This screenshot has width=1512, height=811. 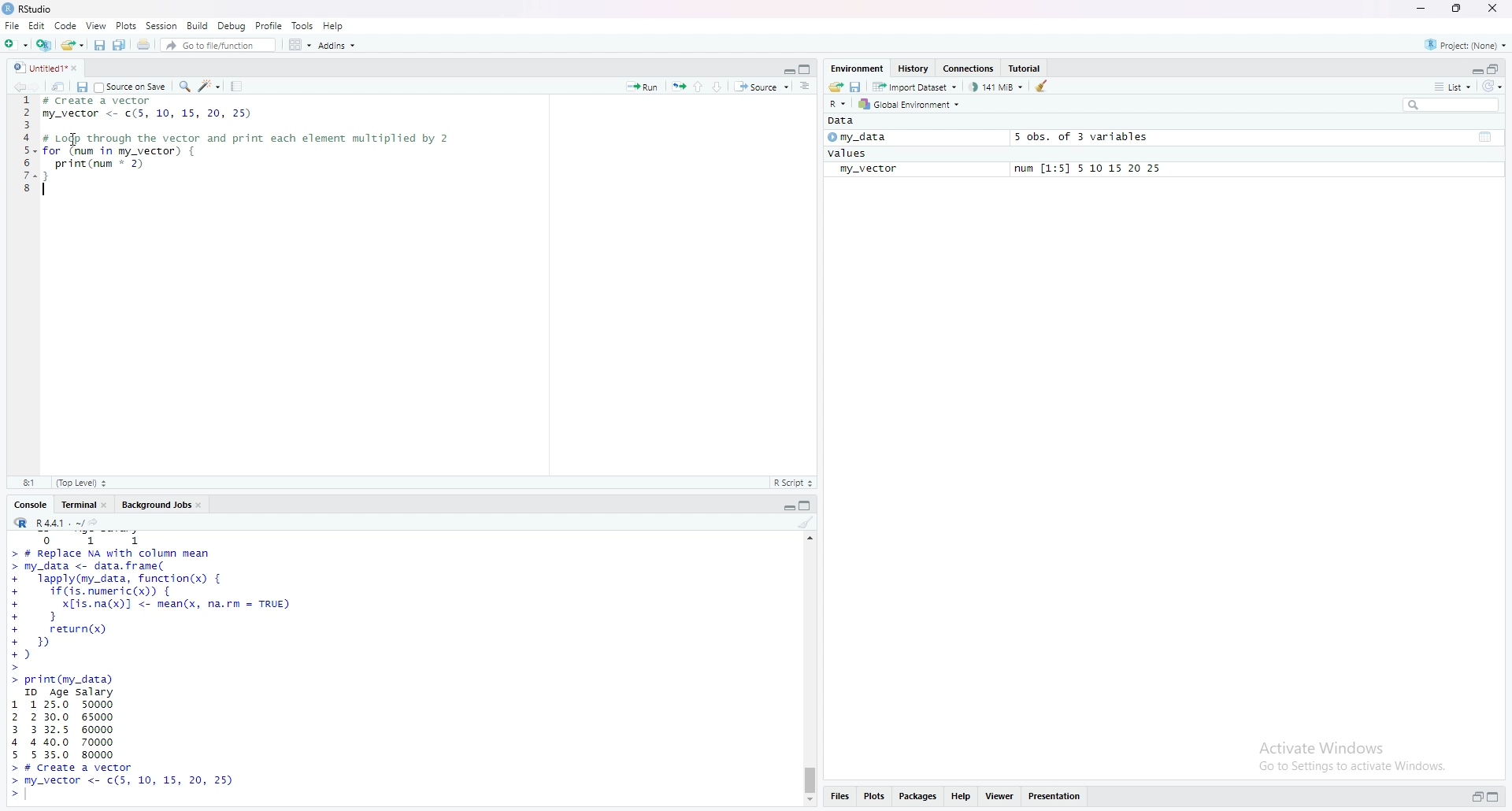 I want to click on files, so click(x=843, y=798).